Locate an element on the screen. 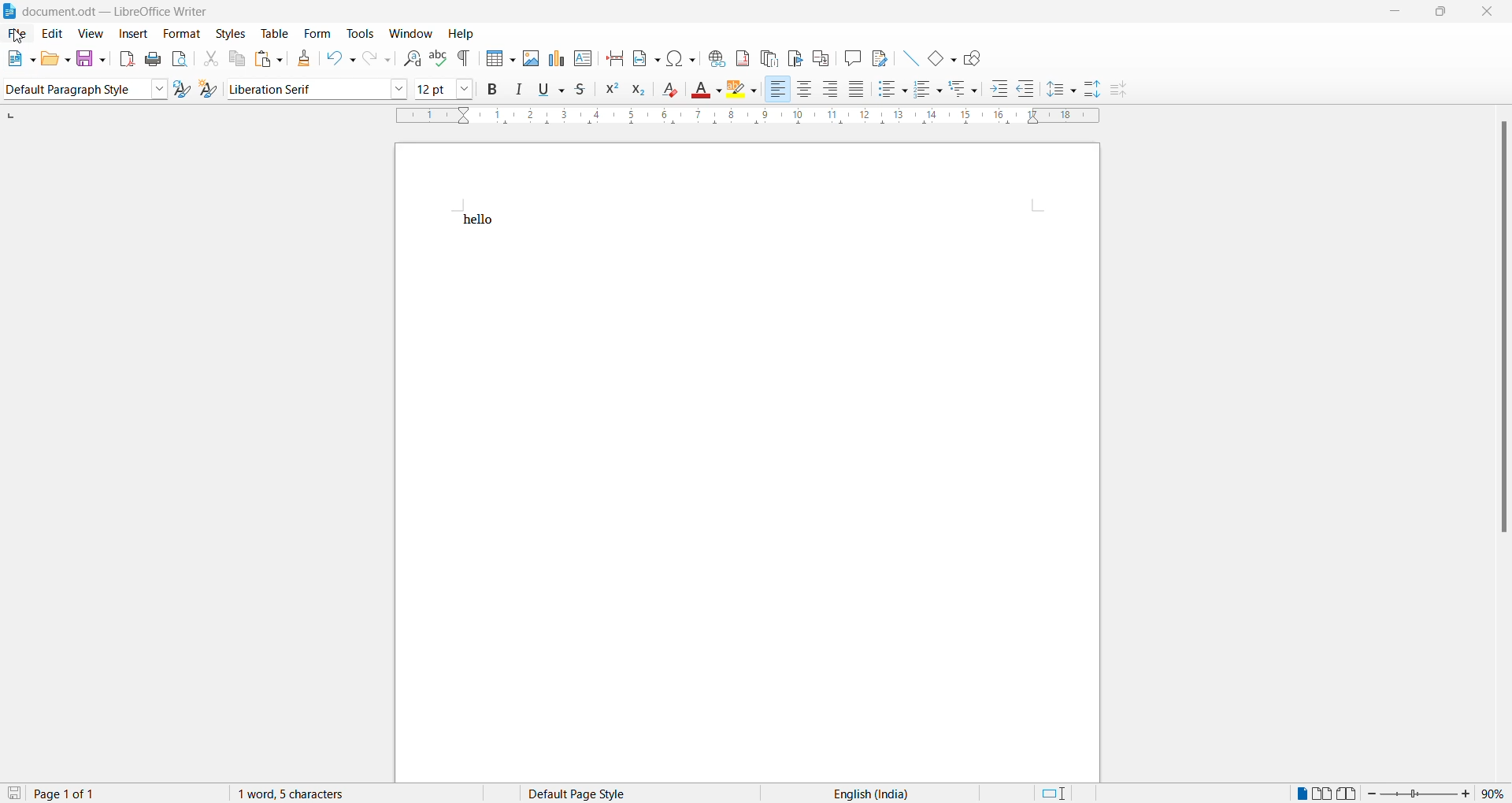 Image resolution: width=1512 pixels, height=803 pixels. hello is located at coordinates (479, 220).